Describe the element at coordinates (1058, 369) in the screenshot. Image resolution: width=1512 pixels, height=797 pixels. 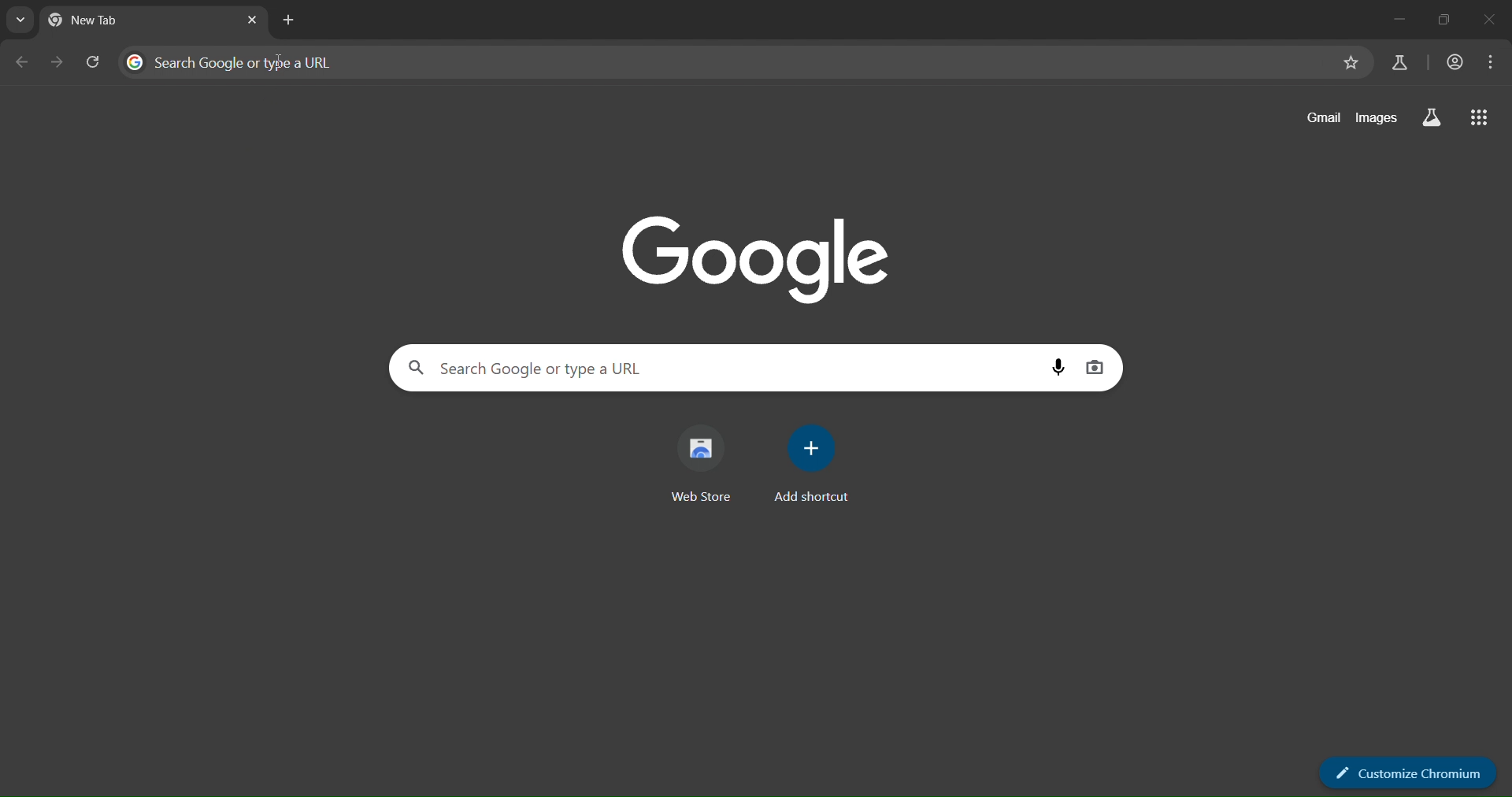
I see `voice search` at that location.